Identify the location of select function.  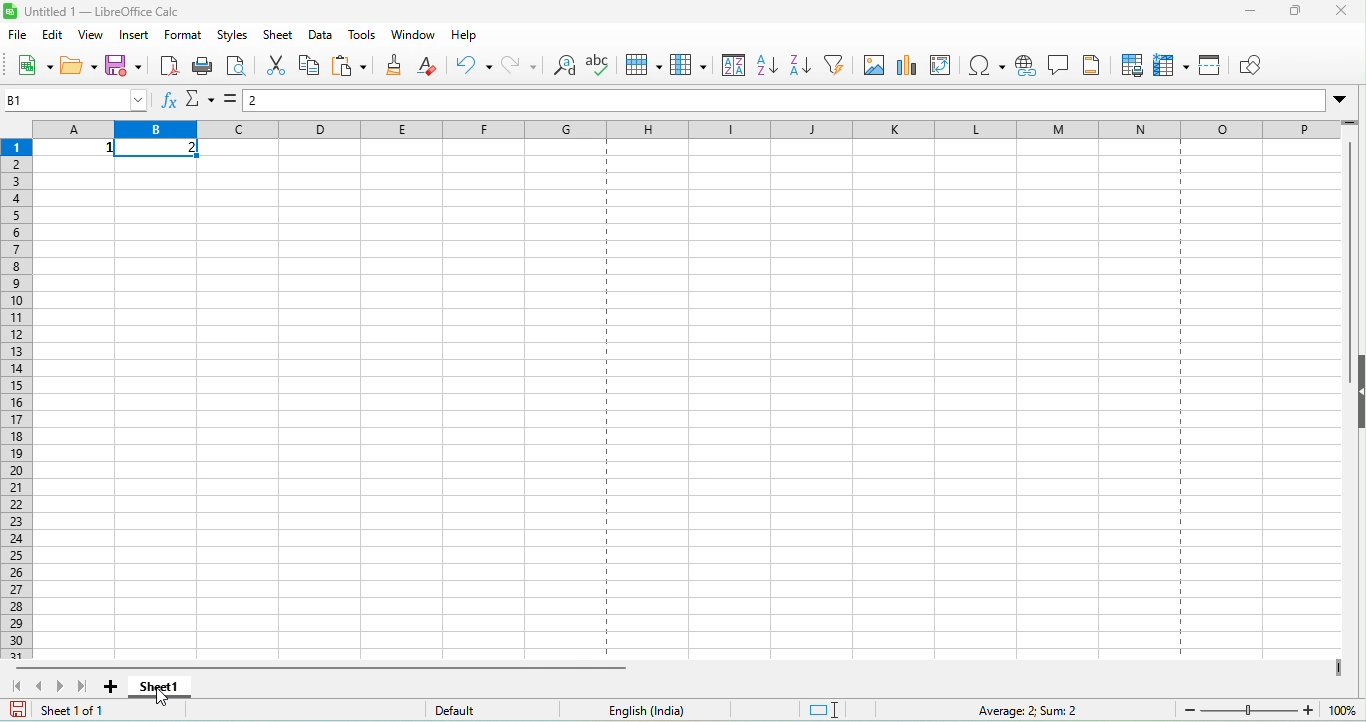
(201, 102).